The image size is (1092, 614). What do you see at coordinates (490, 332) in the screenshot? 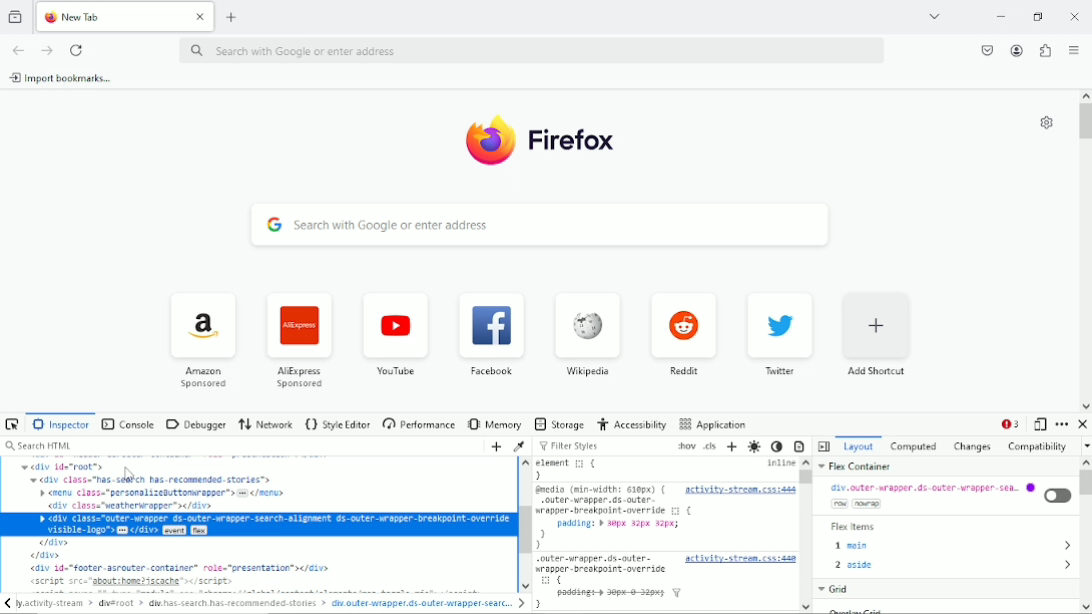
I see `Facebook` at bounding box center [490, 332].